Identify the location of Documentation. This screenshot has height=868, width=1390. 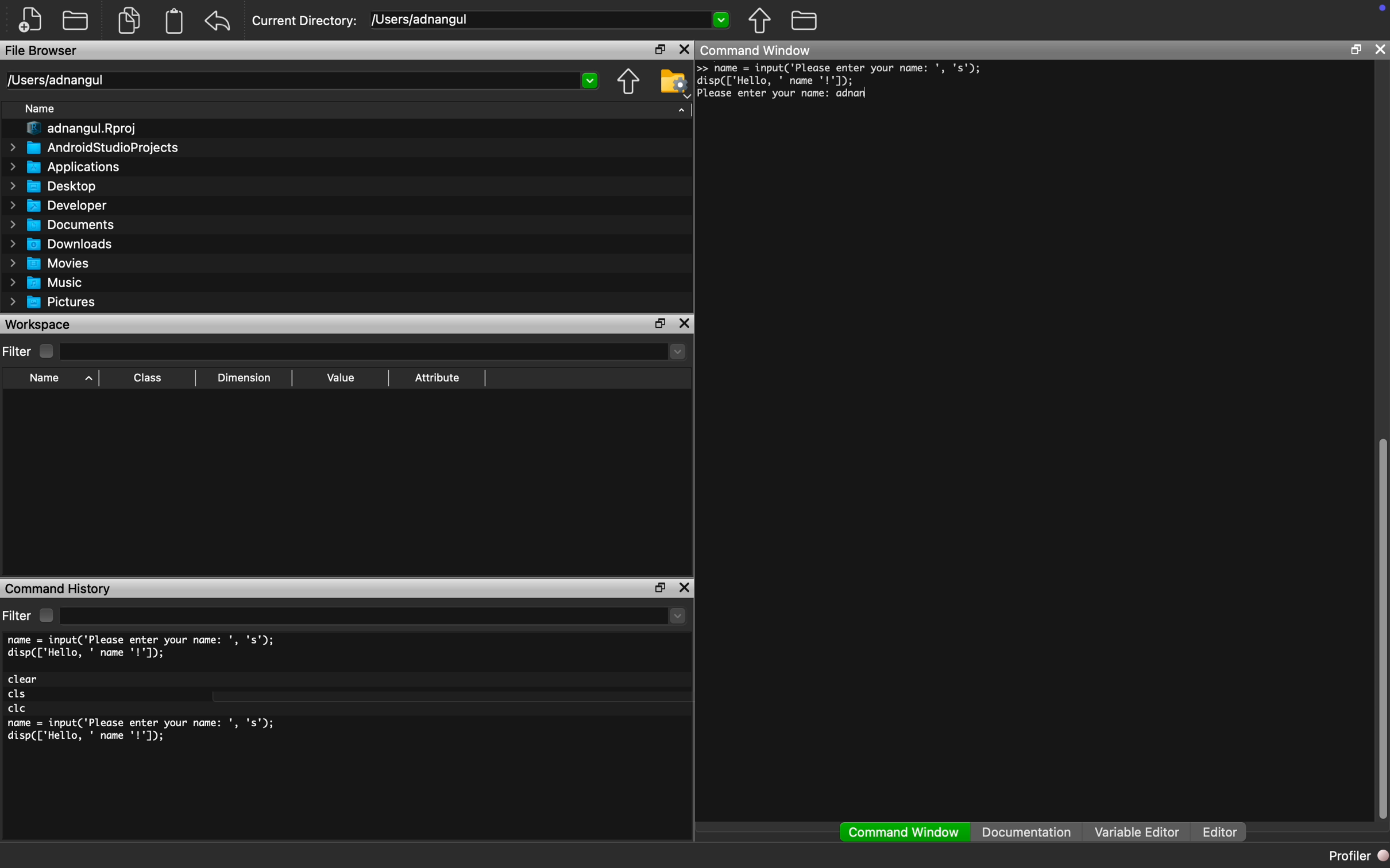
(1026, 832).